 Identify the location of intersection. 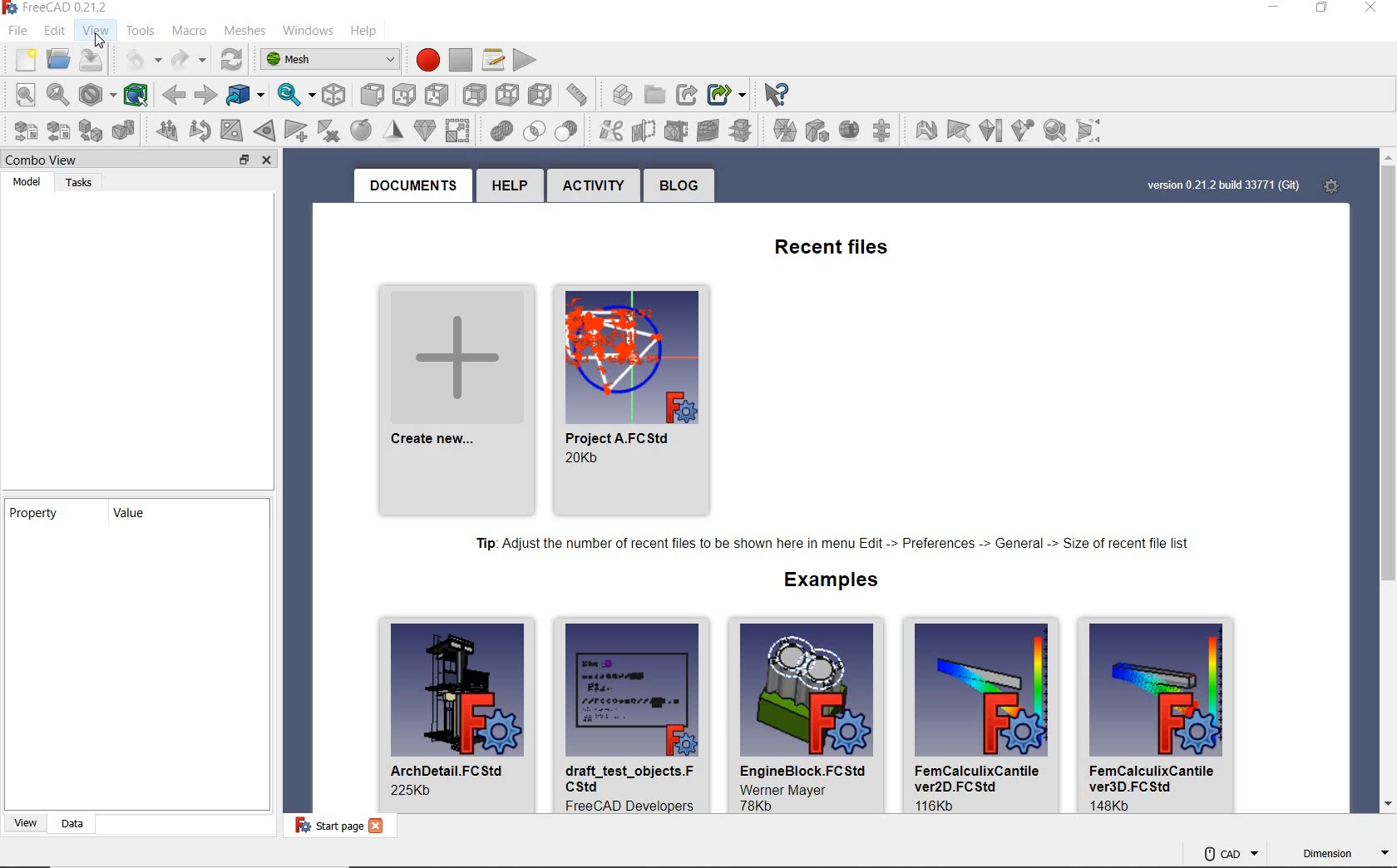
(501, 133).